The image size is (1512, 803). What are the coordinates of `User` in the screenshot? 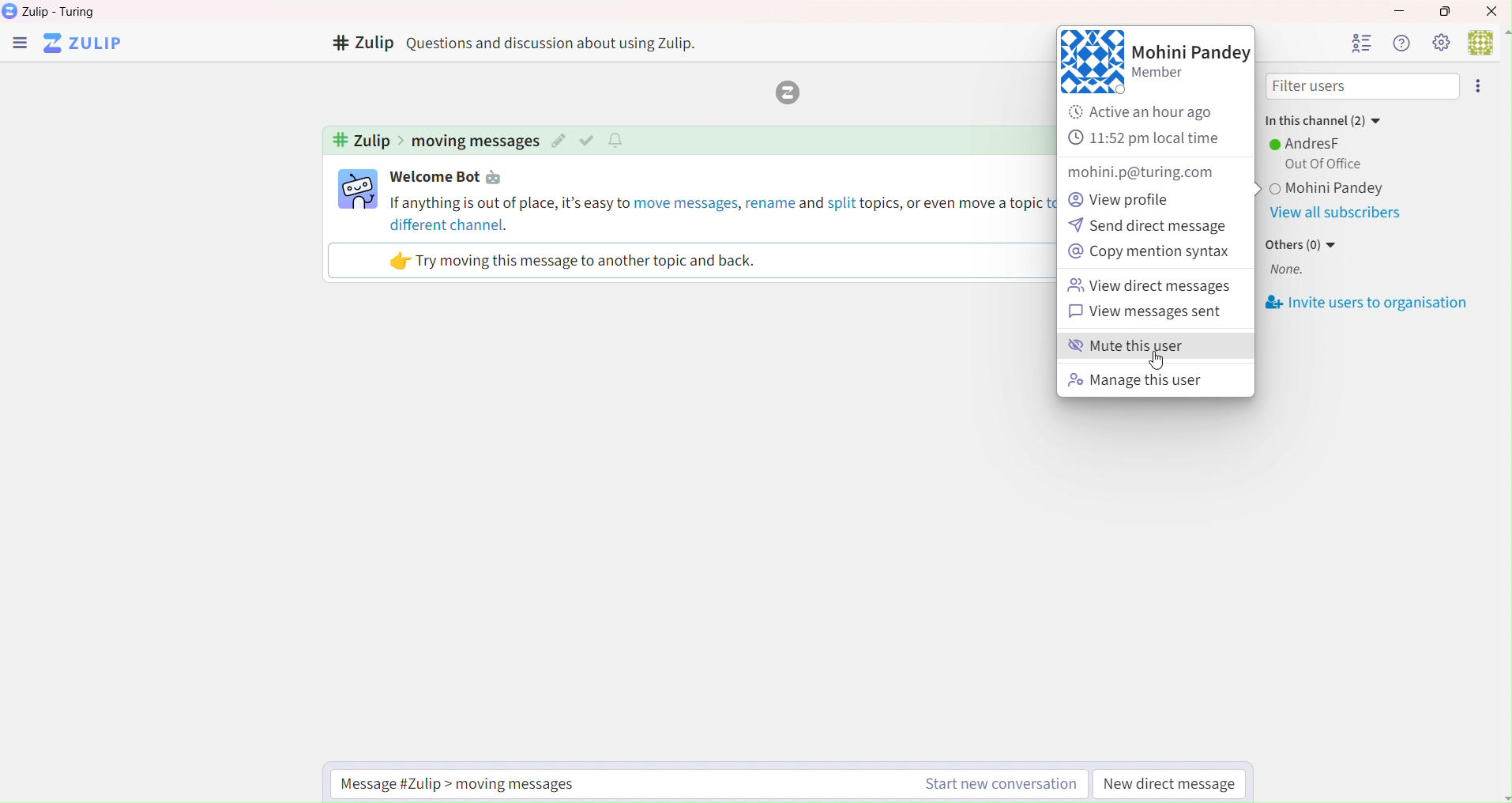 It's located at (1488, 41).